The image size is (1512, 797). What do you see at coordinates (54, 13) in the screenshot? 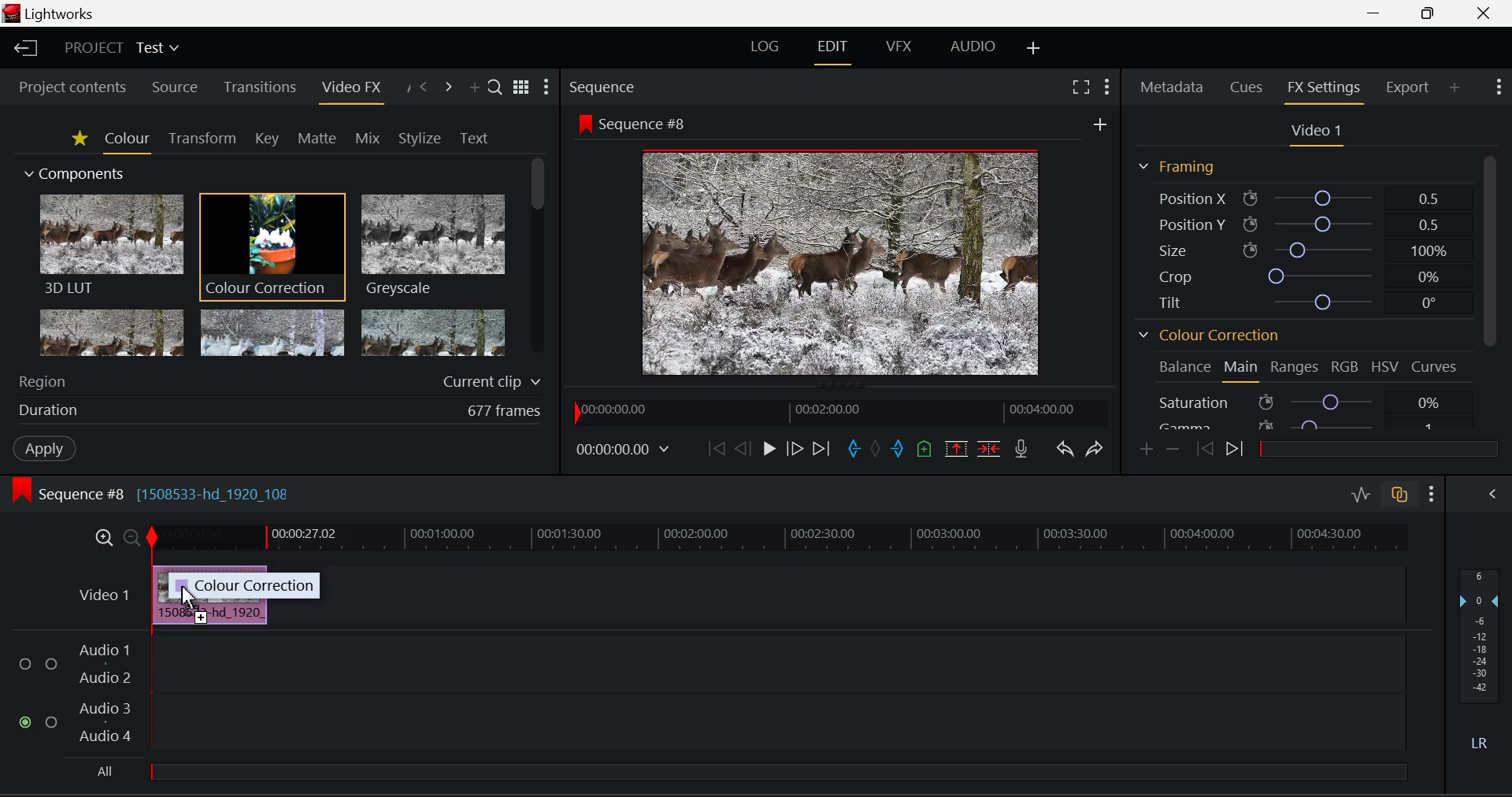
I see `Window Title` at bounding box center [54, 13].